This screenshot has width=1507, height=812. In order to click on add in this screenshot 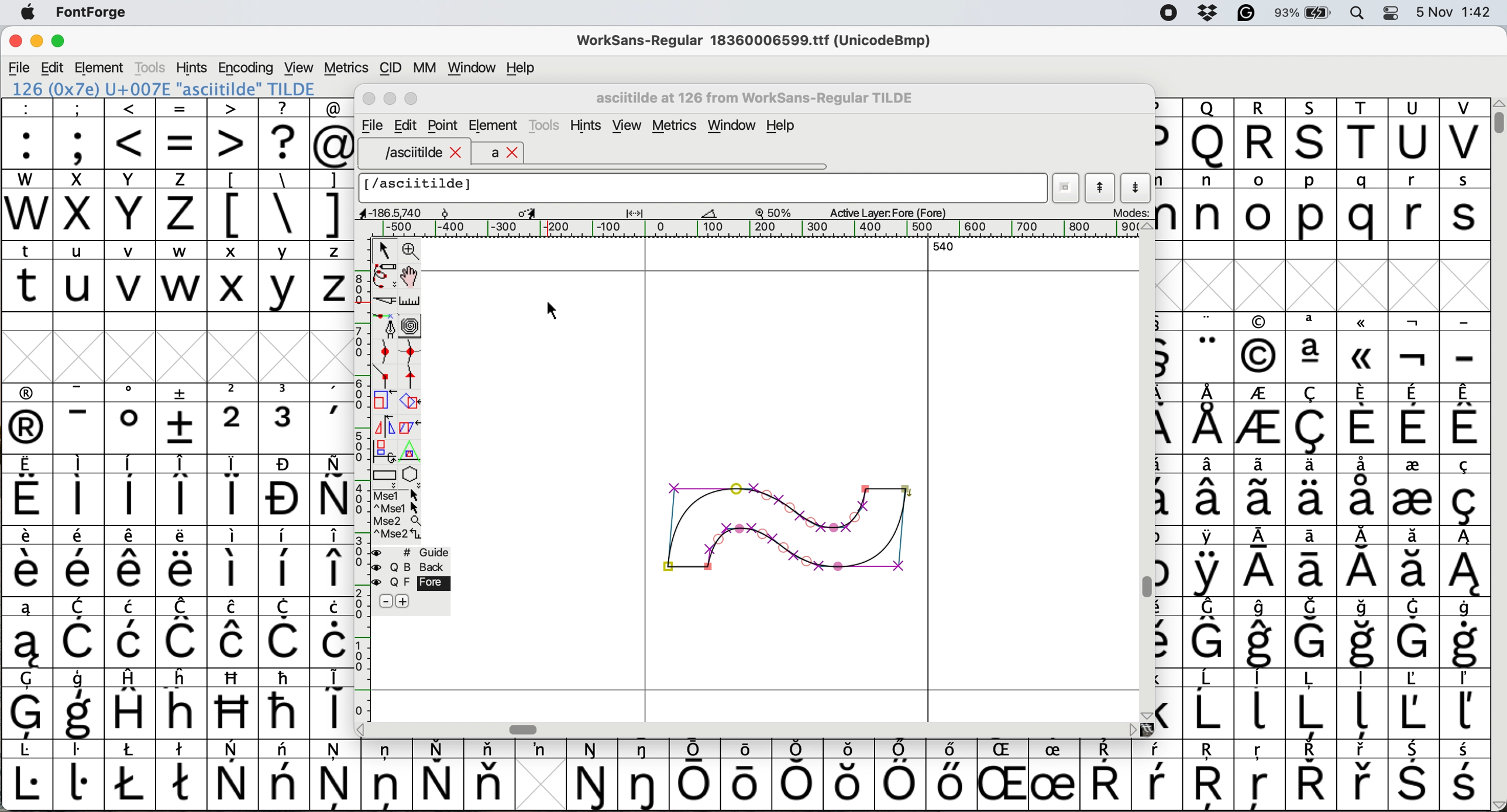, I will do `click(404, 601)`.